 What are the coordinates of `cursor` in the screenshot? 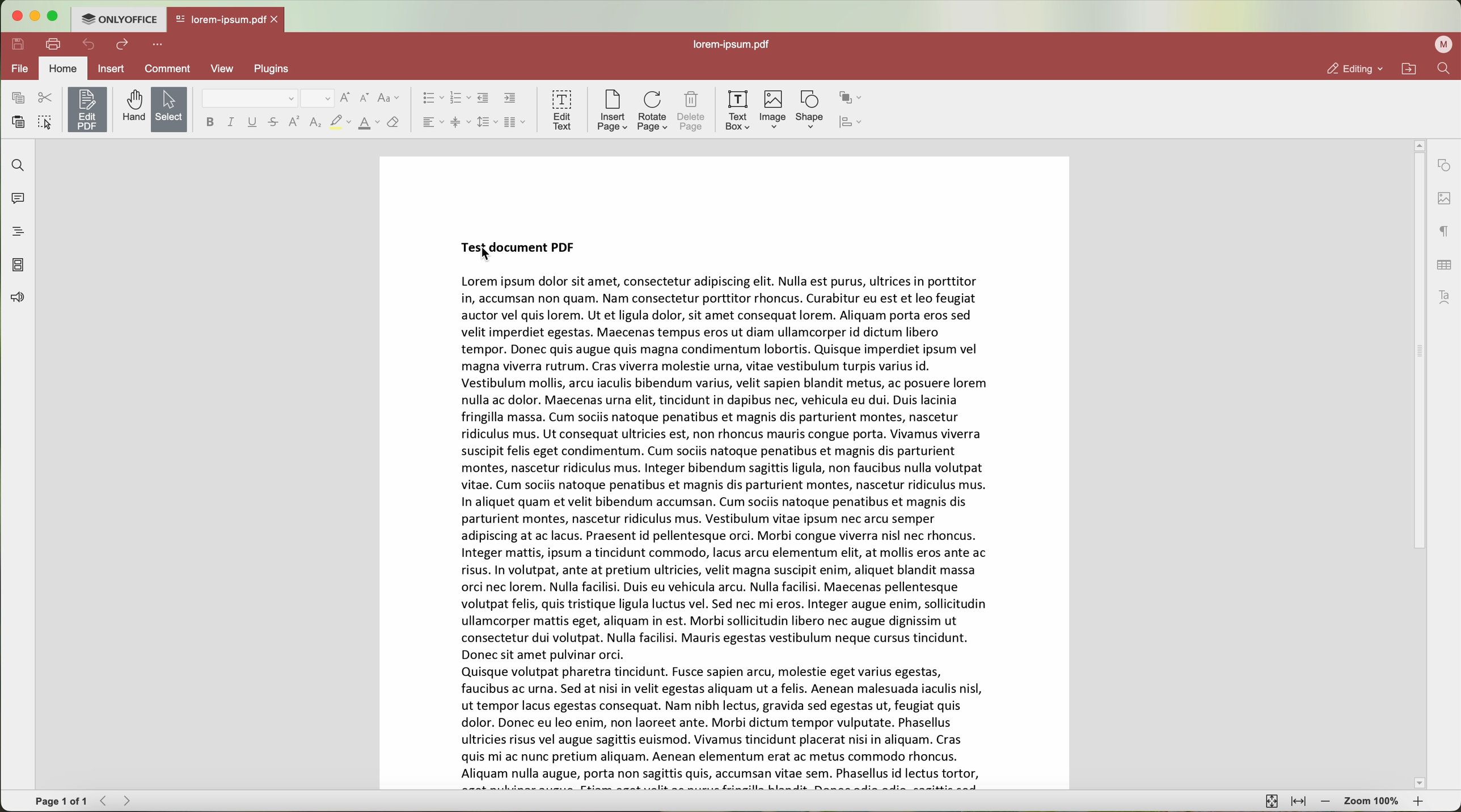 It's located at (485, 257).